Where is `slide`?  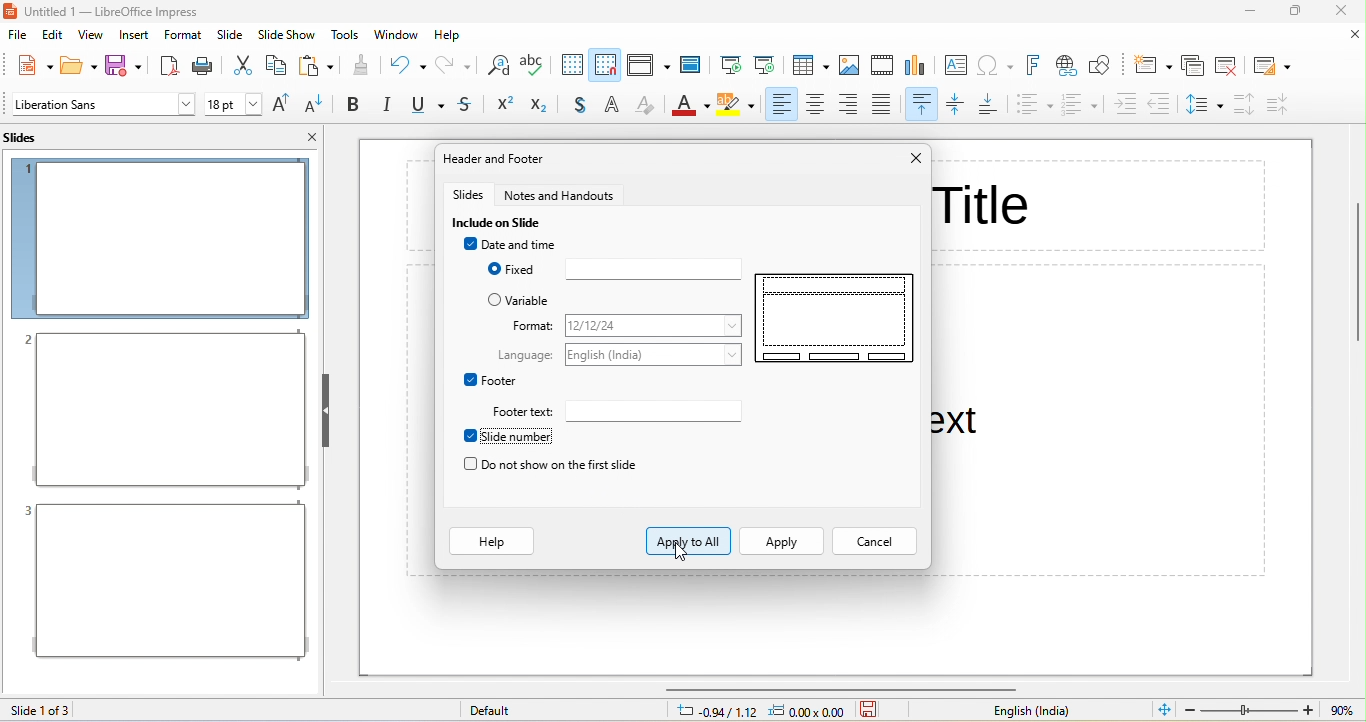 slide is located at coordinates (835, 317).